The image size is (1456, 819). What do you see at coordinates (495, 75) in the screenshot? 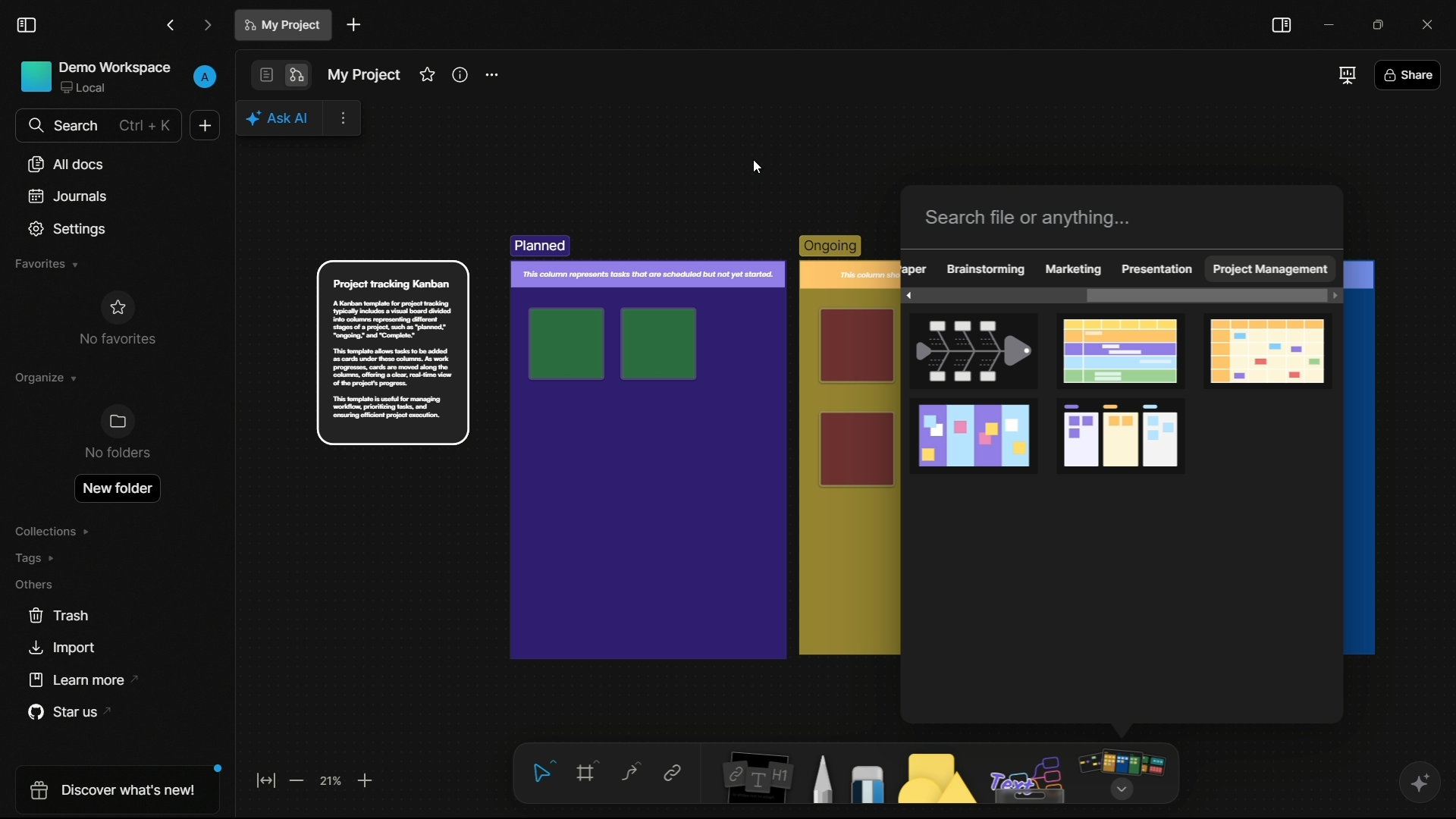
I see `settings` at bounding box center [495, 75].